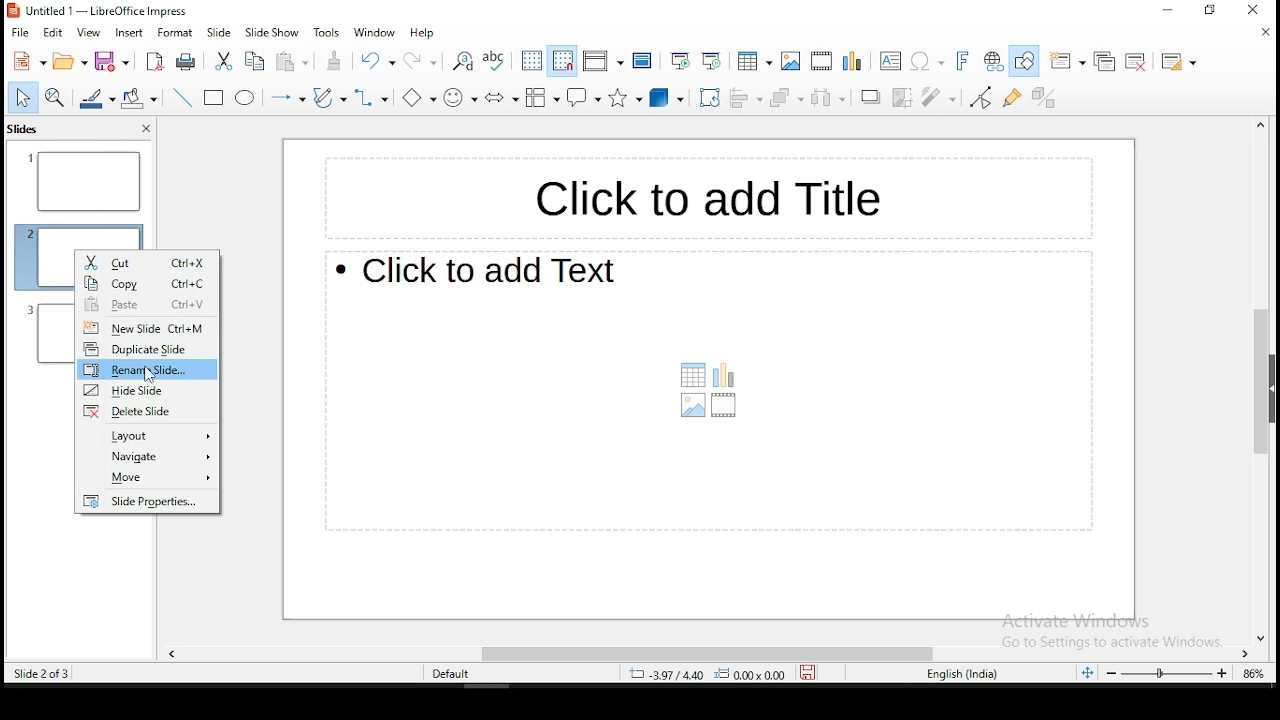 The image size is (1280, 720). Describe the element at coordinates (748, 97) in the screenshot. I see `align objects` at that location.